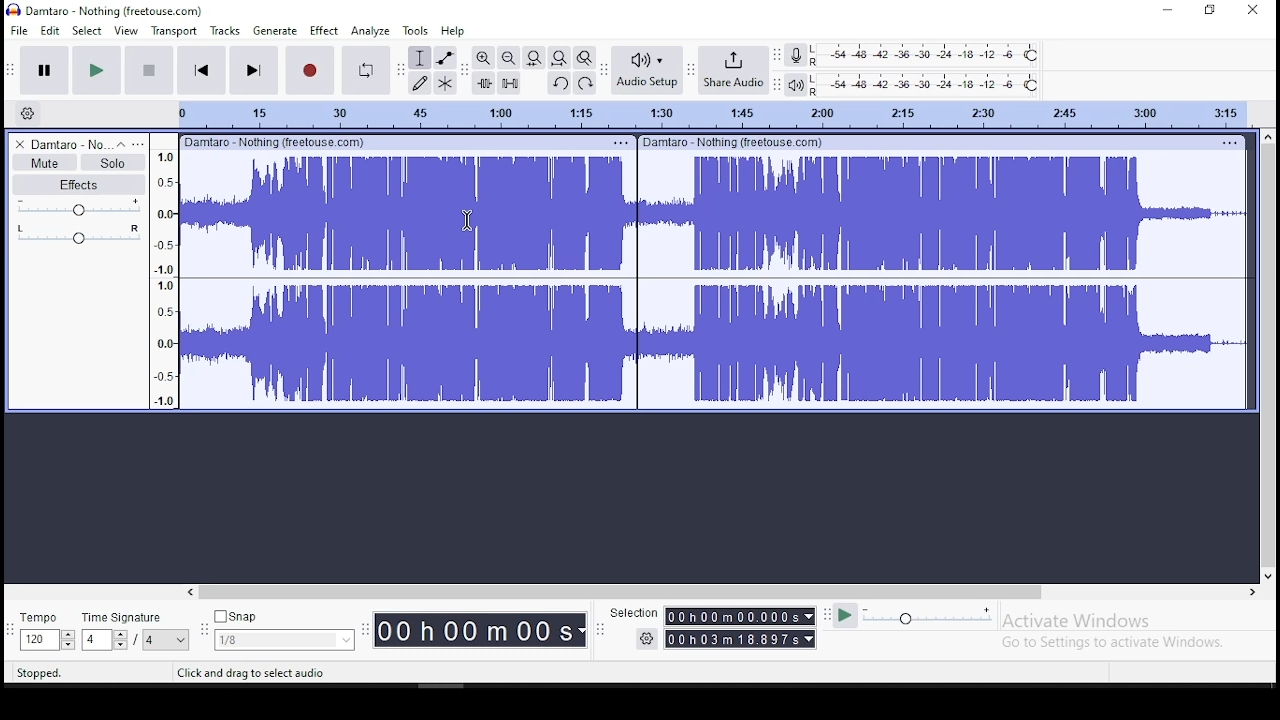 Image resolution: width=1280 pixels, height=720 pixels. What do you see at coordinates (419, 58) in the screenshot?
I see `selection tool` at bounding box center [419, 58].